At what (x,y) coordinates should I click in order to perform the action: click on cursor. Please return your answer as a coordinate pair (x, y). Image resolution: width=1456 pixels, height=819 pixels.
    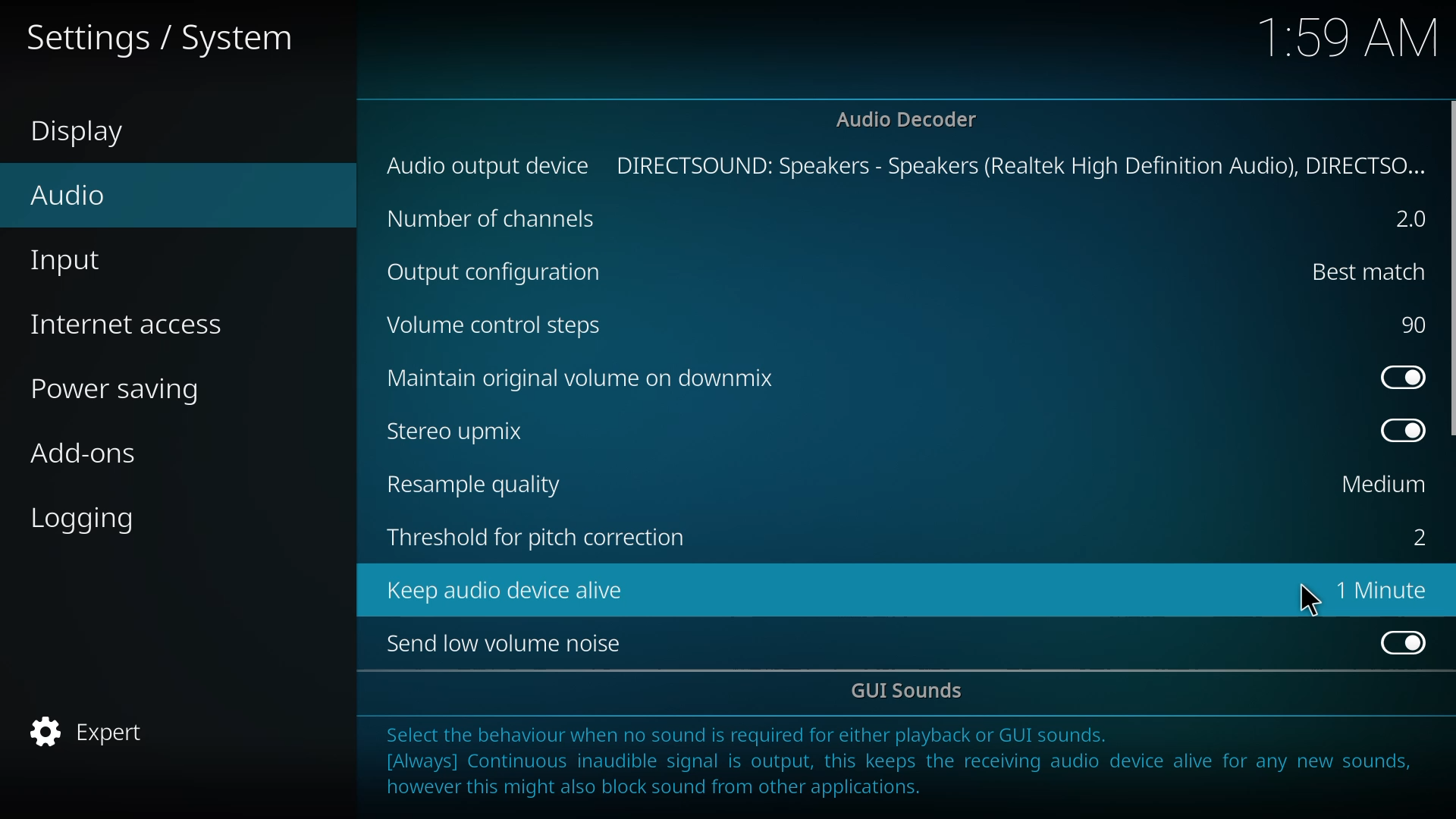
    Looking at the image, I should click on (1313, 600).